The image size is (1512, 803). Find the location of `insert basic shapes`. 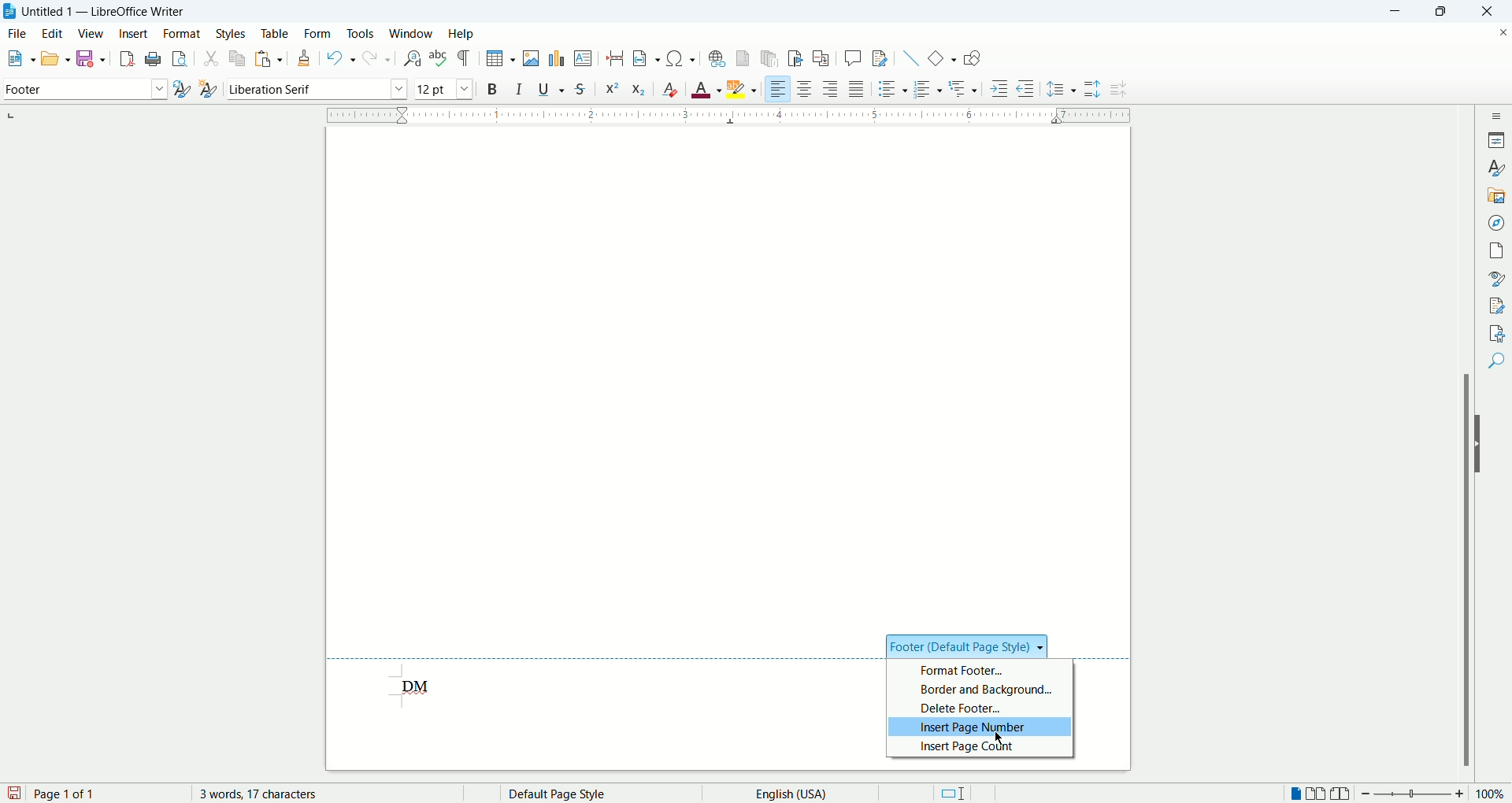

insert basic shapes is located at coordinates (943, 57).